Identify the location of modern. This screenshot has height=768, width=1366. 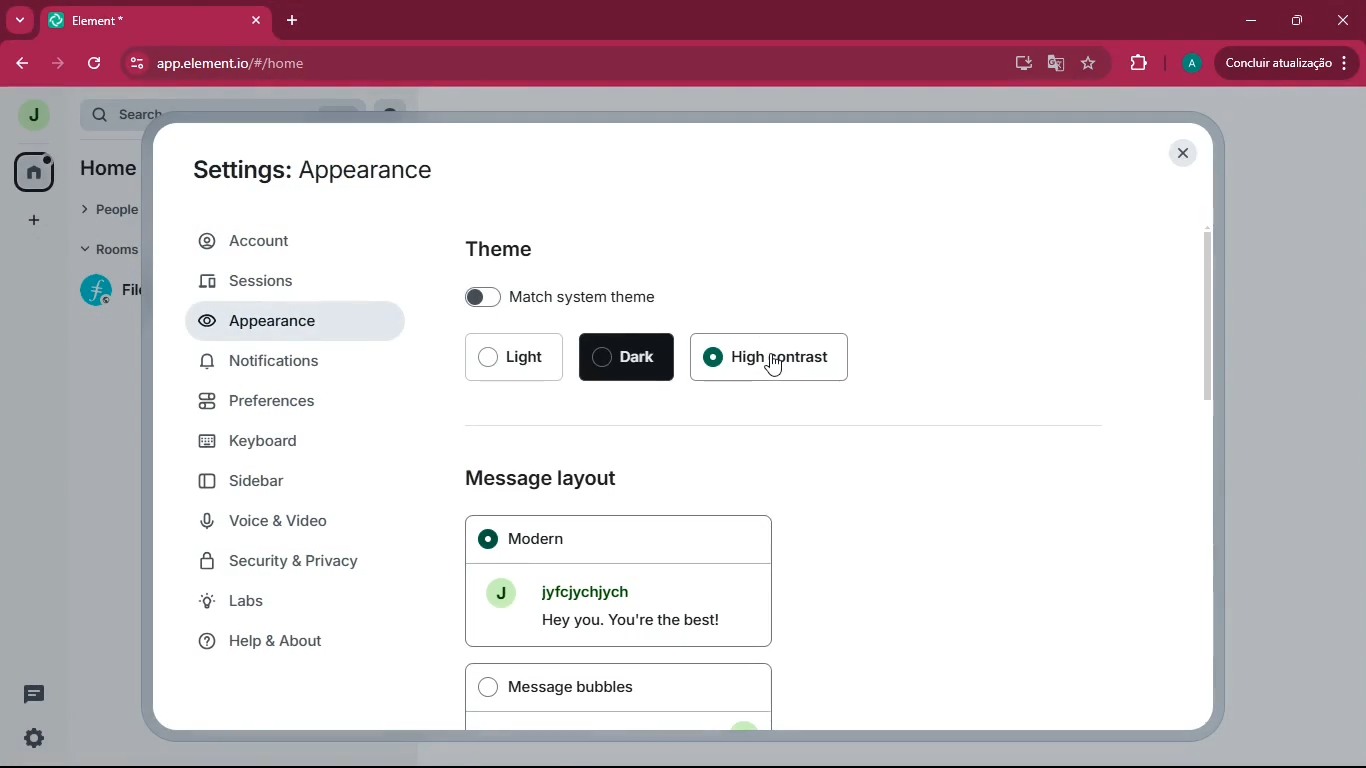
(627, 580).